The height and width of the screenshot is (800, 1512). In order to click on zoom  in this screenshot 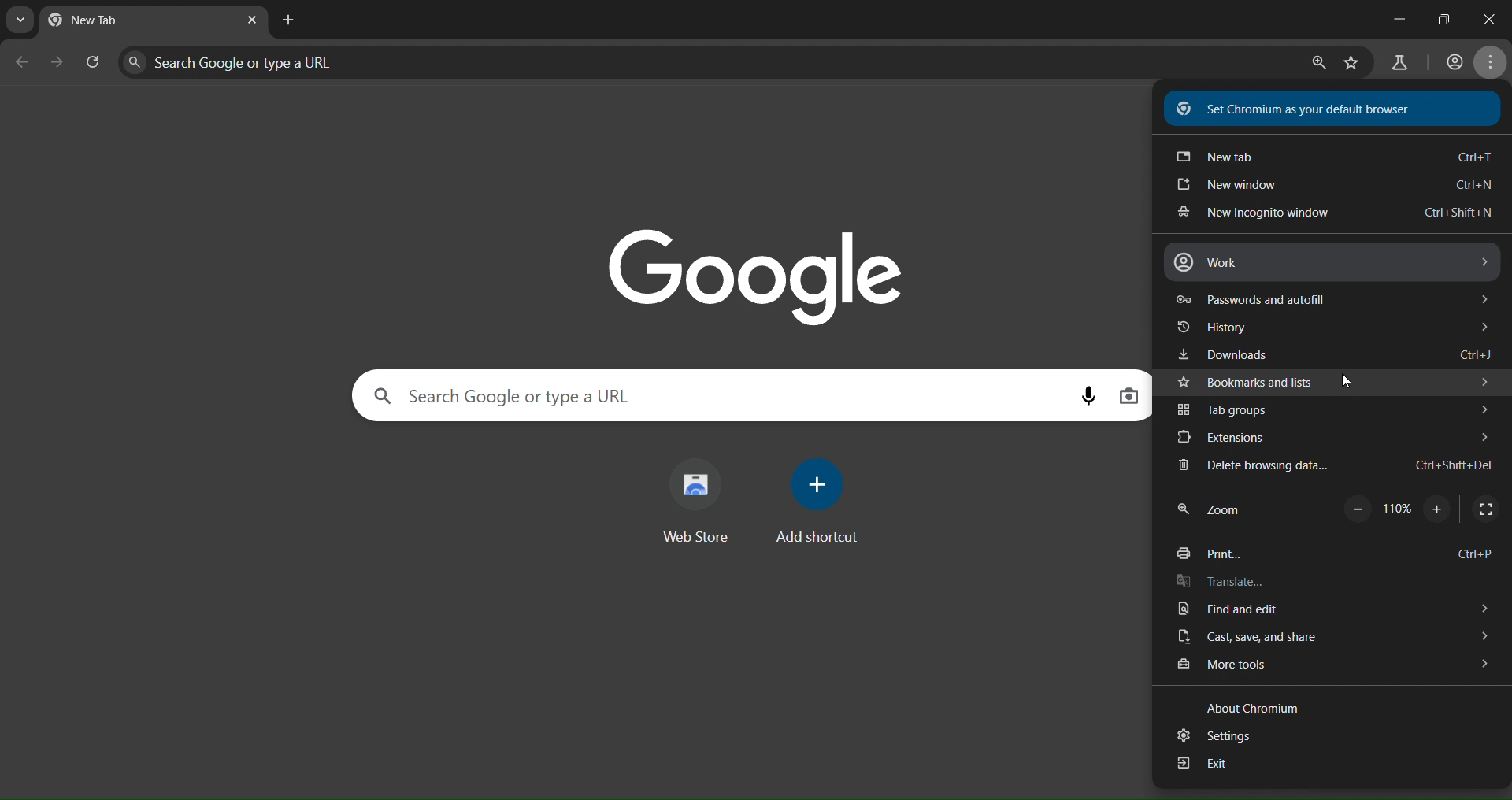, I will do `click(1214, 512)`.